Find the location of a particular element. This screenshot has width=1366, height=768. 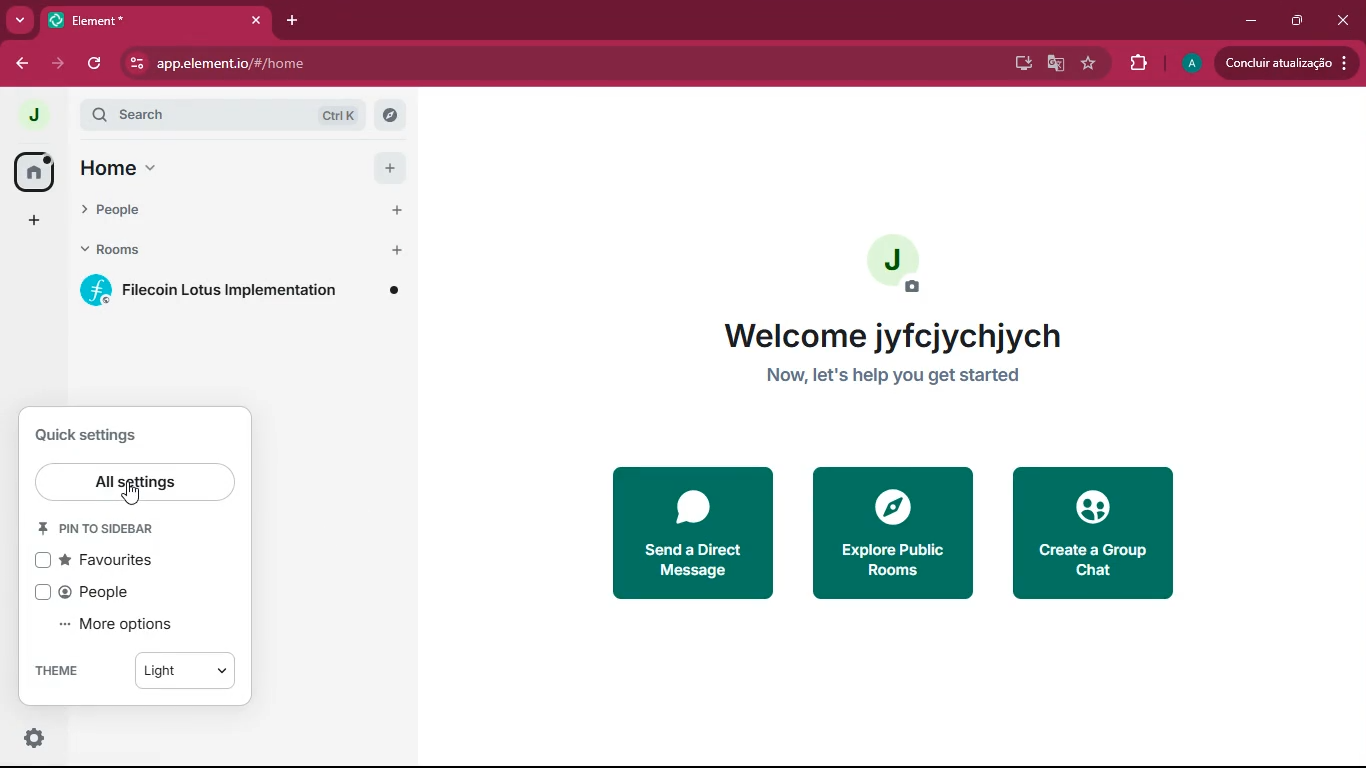

google translate is located at coordinates (1055, 67).